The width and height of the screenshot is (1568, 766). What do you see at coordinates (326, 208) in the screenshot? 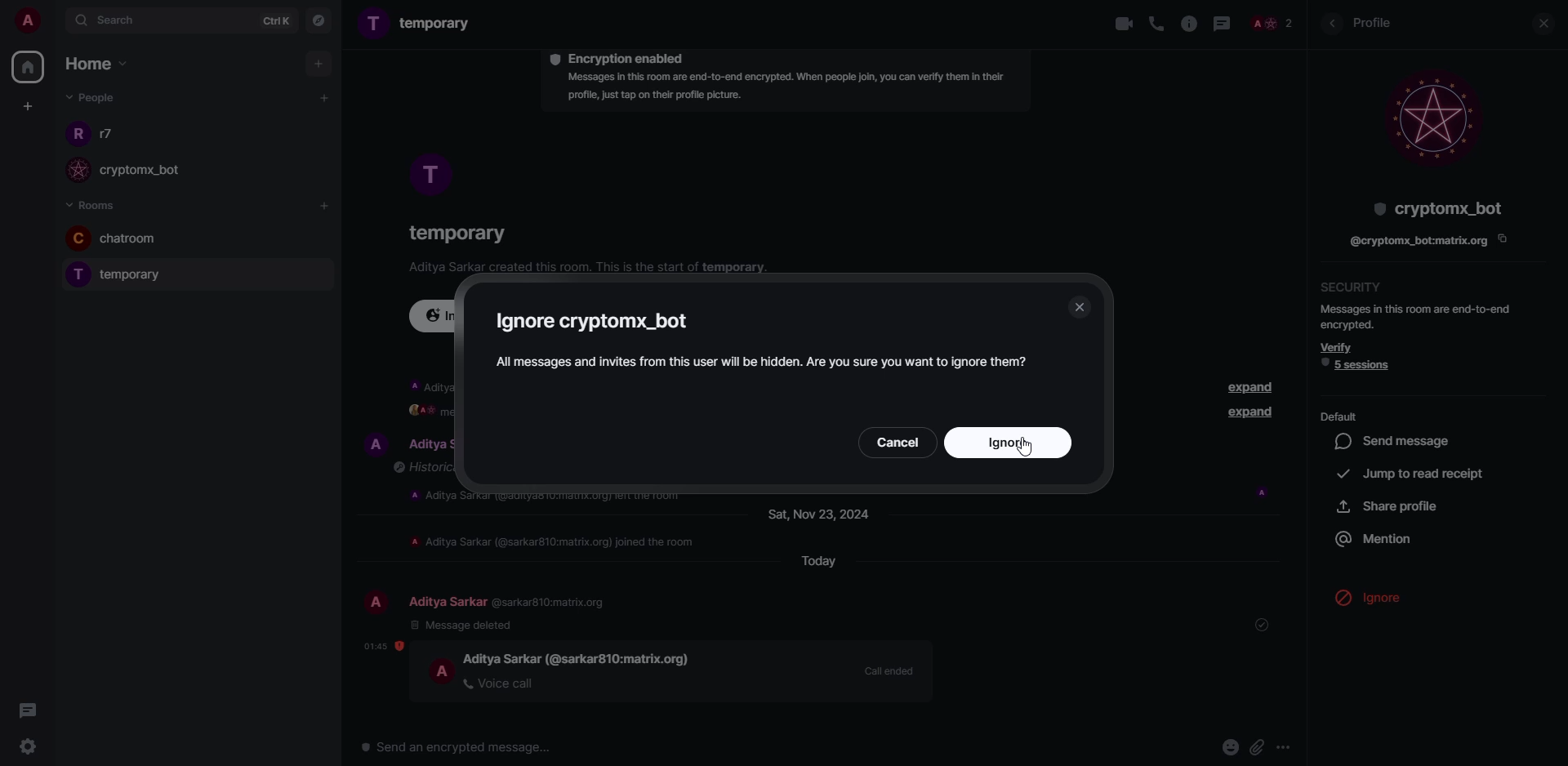
I see `add` at bounding box center [326, 208].